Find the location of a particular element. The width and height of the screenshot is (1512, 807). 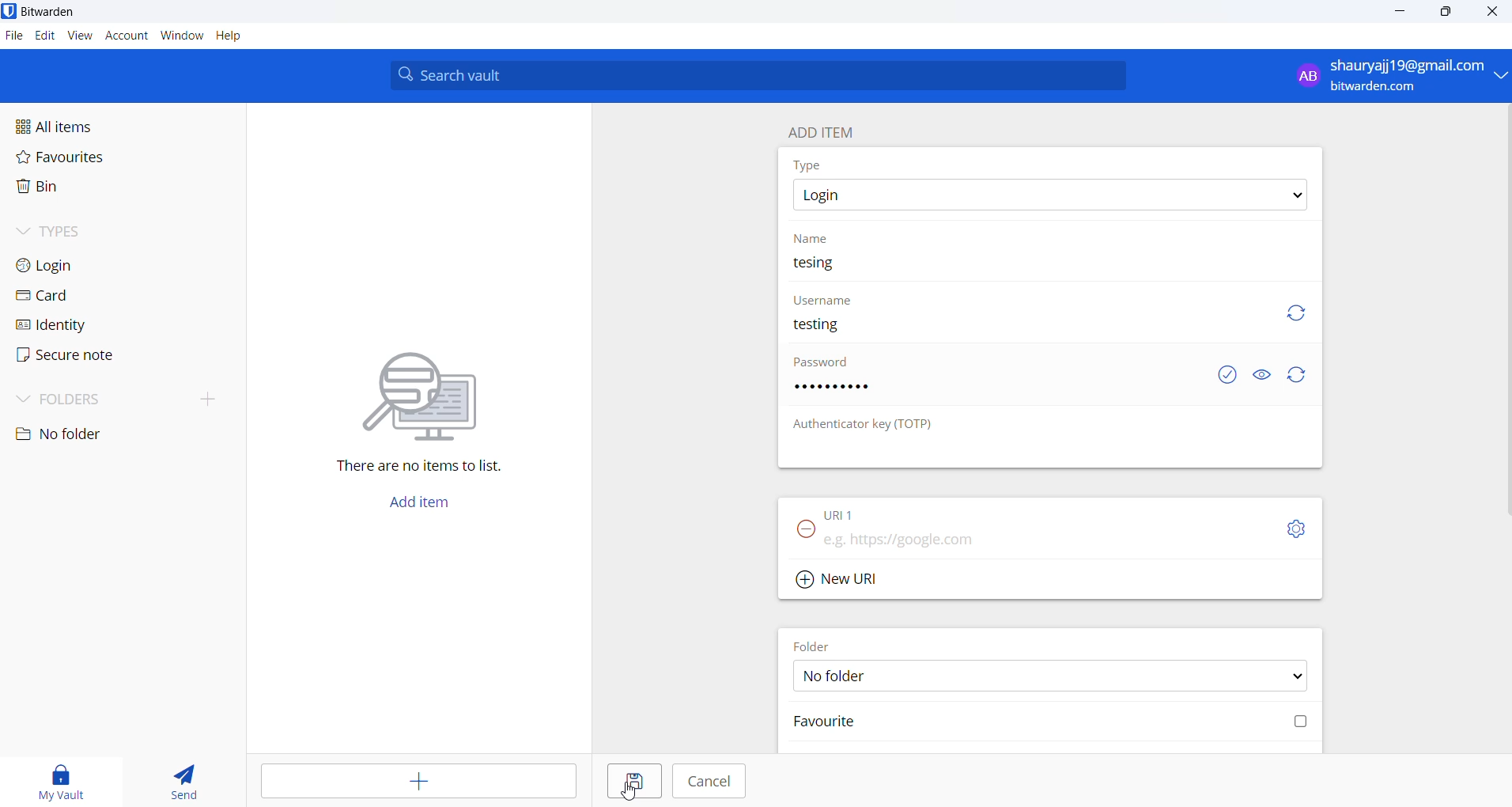

Mark favourite is located at coordinates (1049, 726).